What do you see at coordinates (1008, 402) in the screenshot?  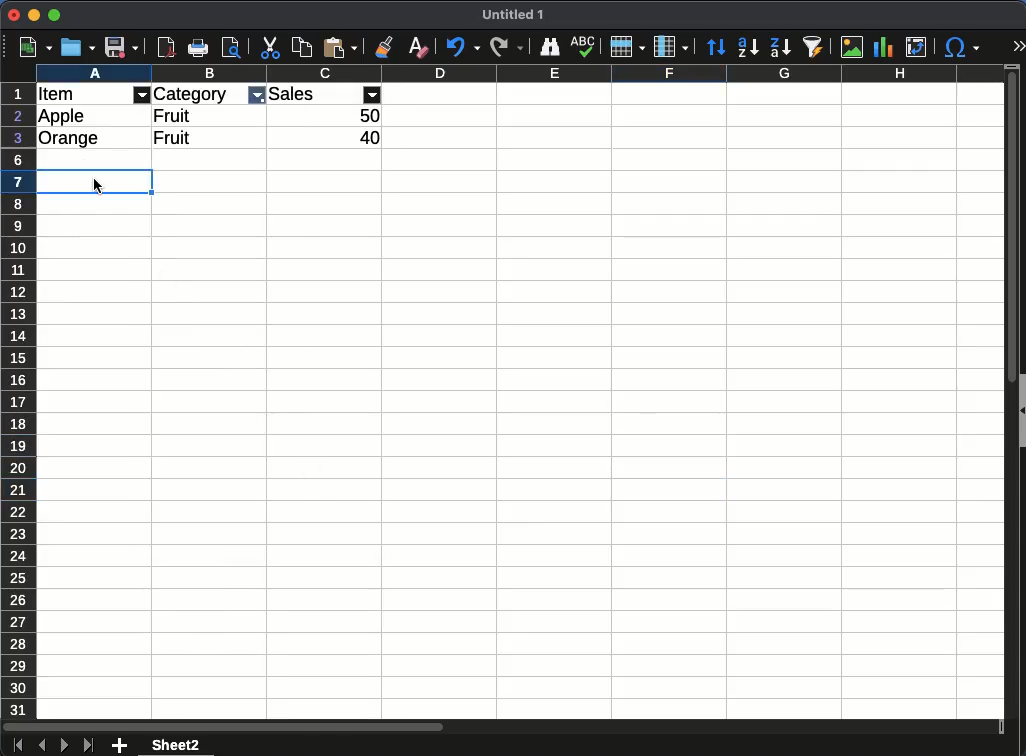 I see `scroll` at bounding box center [1008, 402].